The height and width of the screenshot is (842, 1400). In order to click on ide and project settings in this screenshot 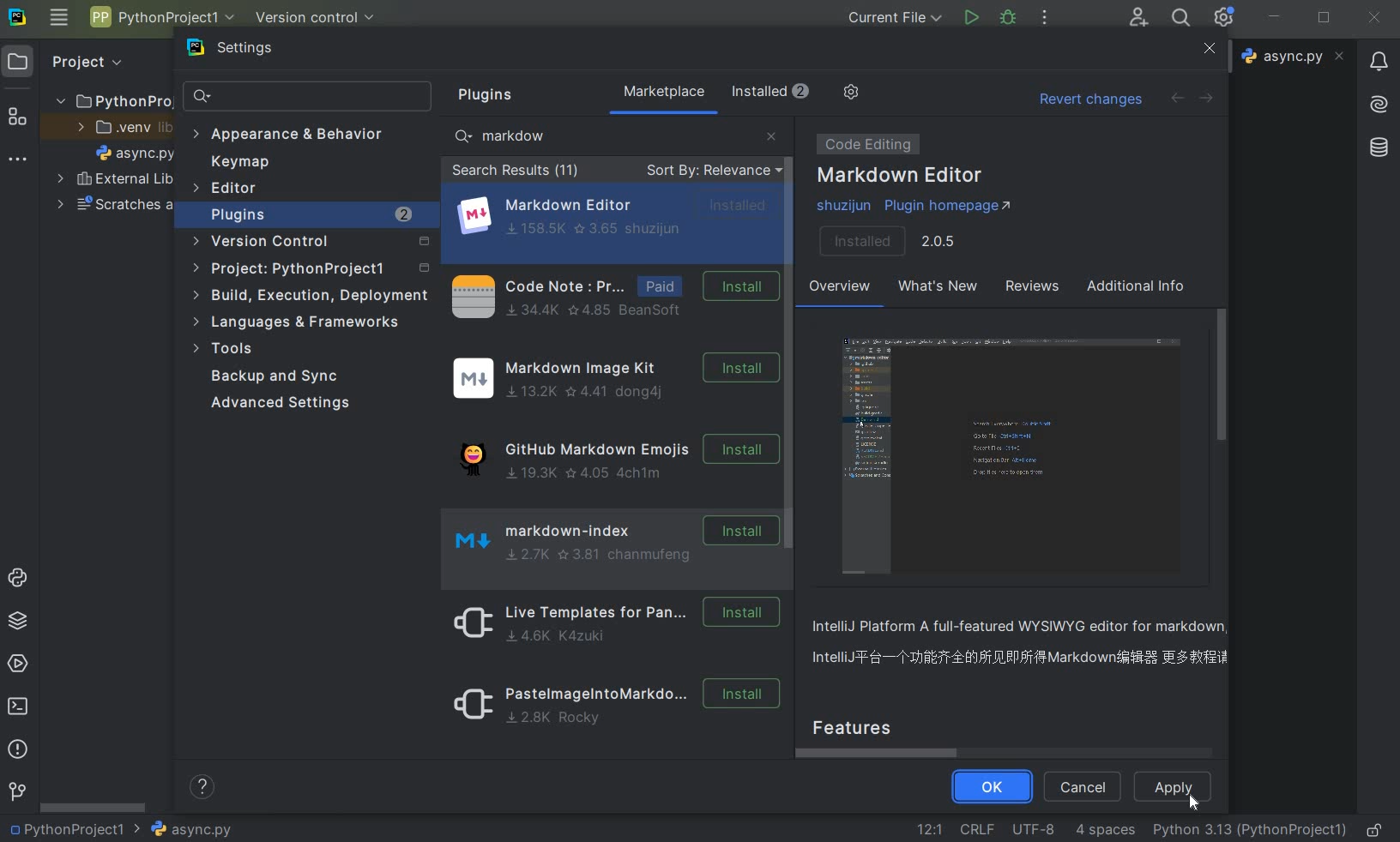, I will do `click(1224, 18)`.